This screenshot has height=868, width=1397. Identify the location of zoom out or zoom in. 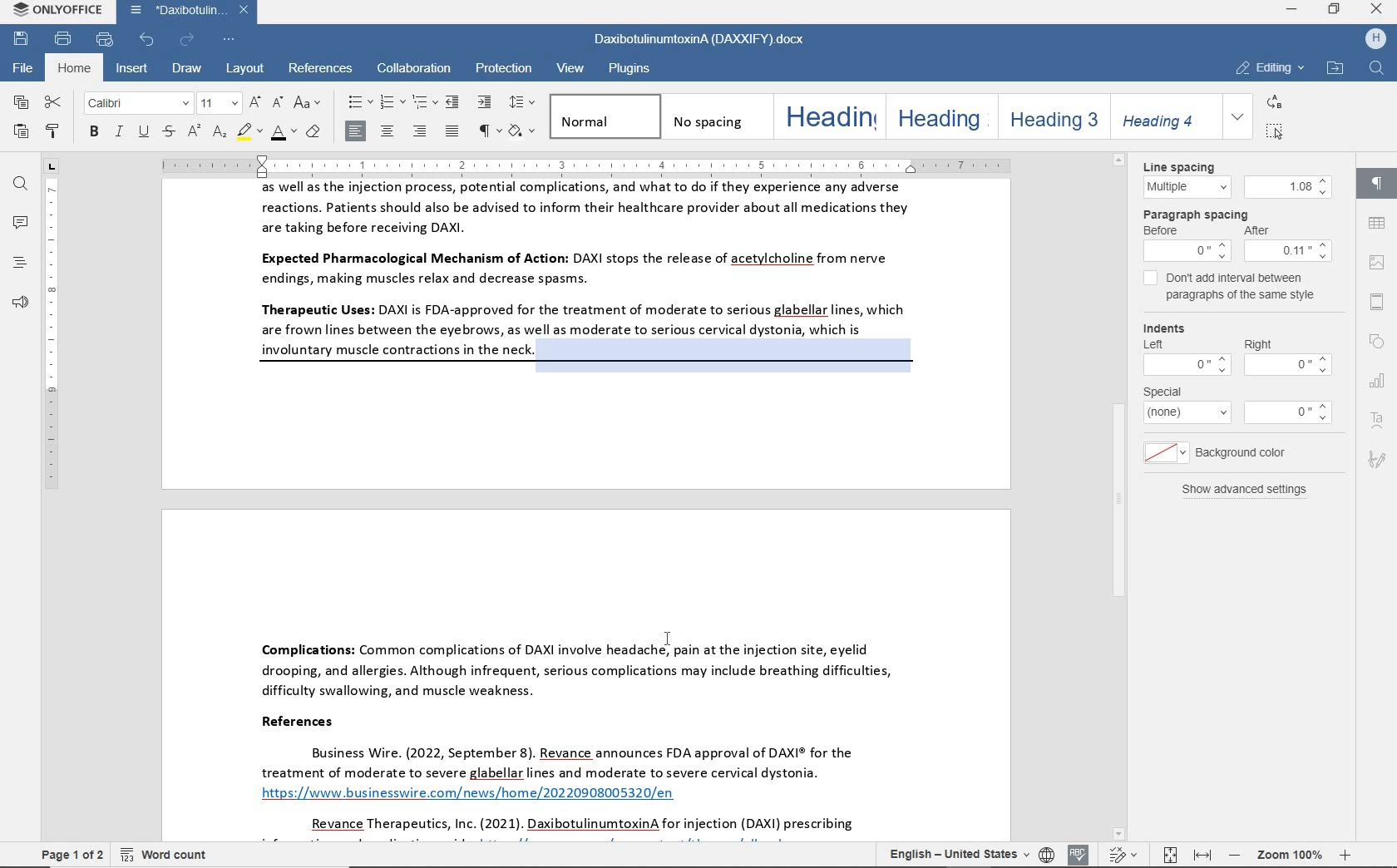
(1289, 855).